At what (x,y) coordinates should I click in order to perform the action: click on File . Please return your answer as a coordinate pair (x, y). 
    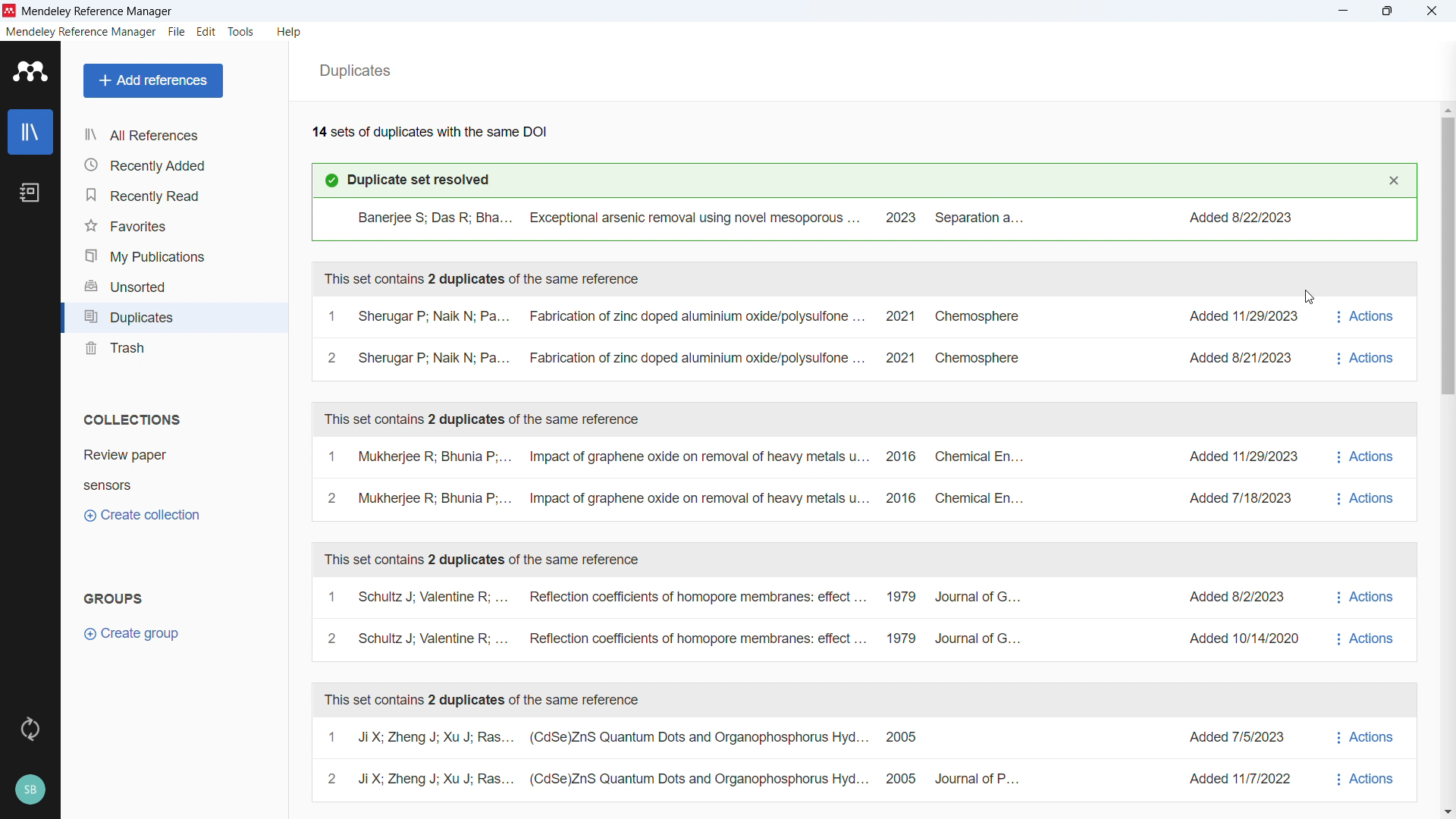
    Looking at the image, I should click on (177, 31).